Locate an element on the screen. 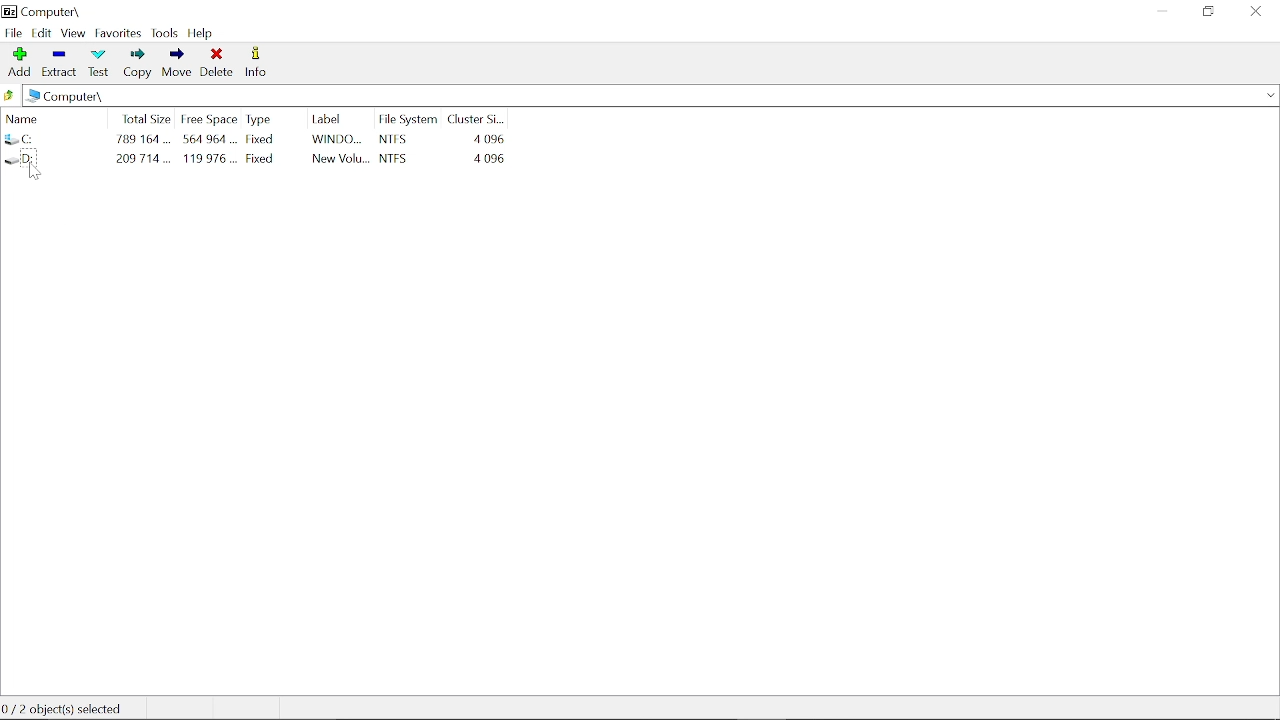  help is located at coordinates (203, 33).